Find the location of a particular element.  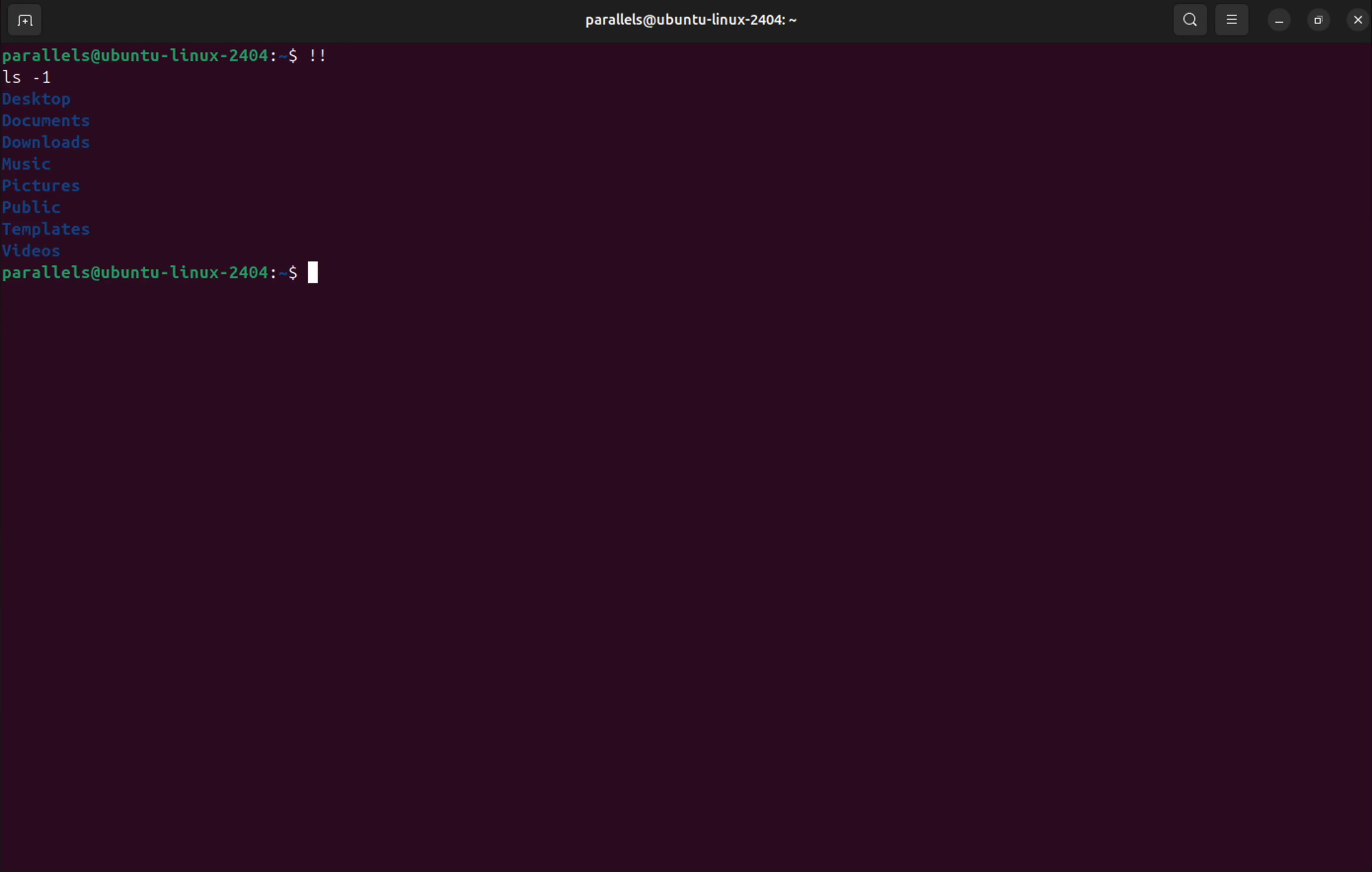

videos is located at coordinates (42, 252).